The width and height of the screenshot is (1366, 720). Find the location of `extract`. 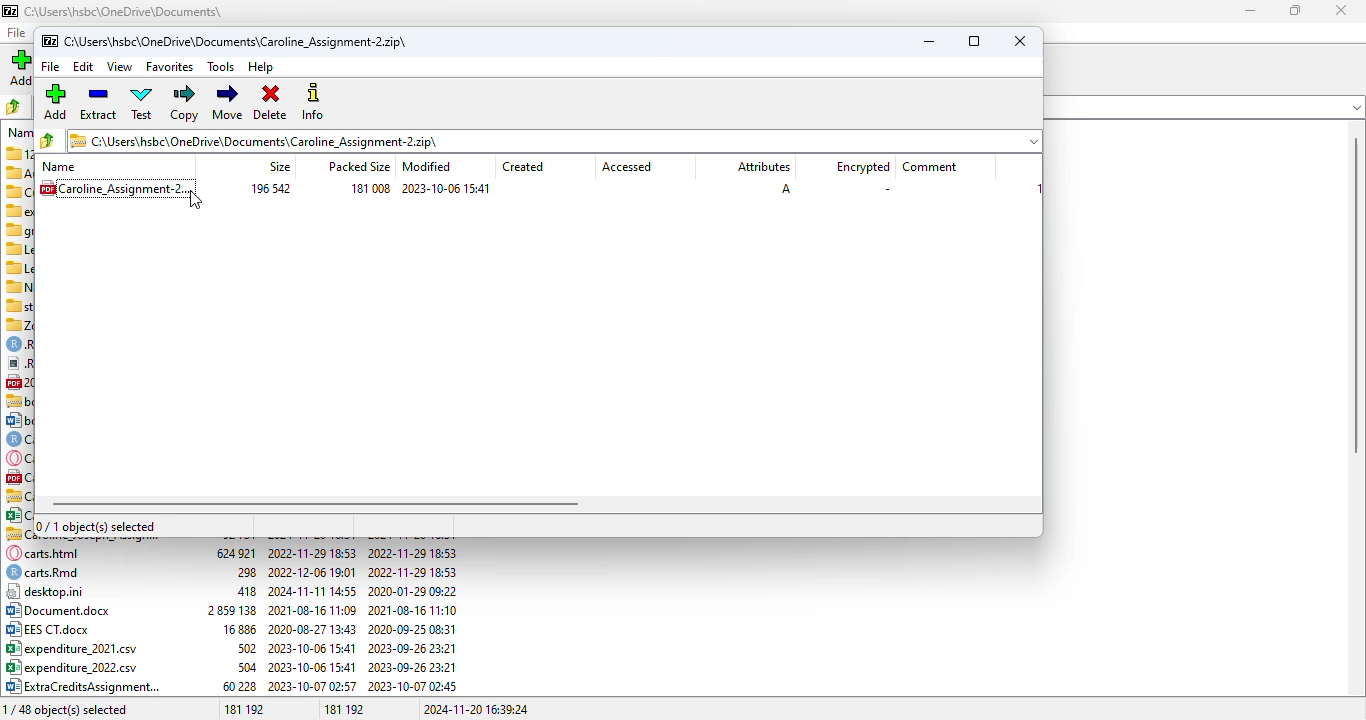

extract is located at coordinates (99, 101).